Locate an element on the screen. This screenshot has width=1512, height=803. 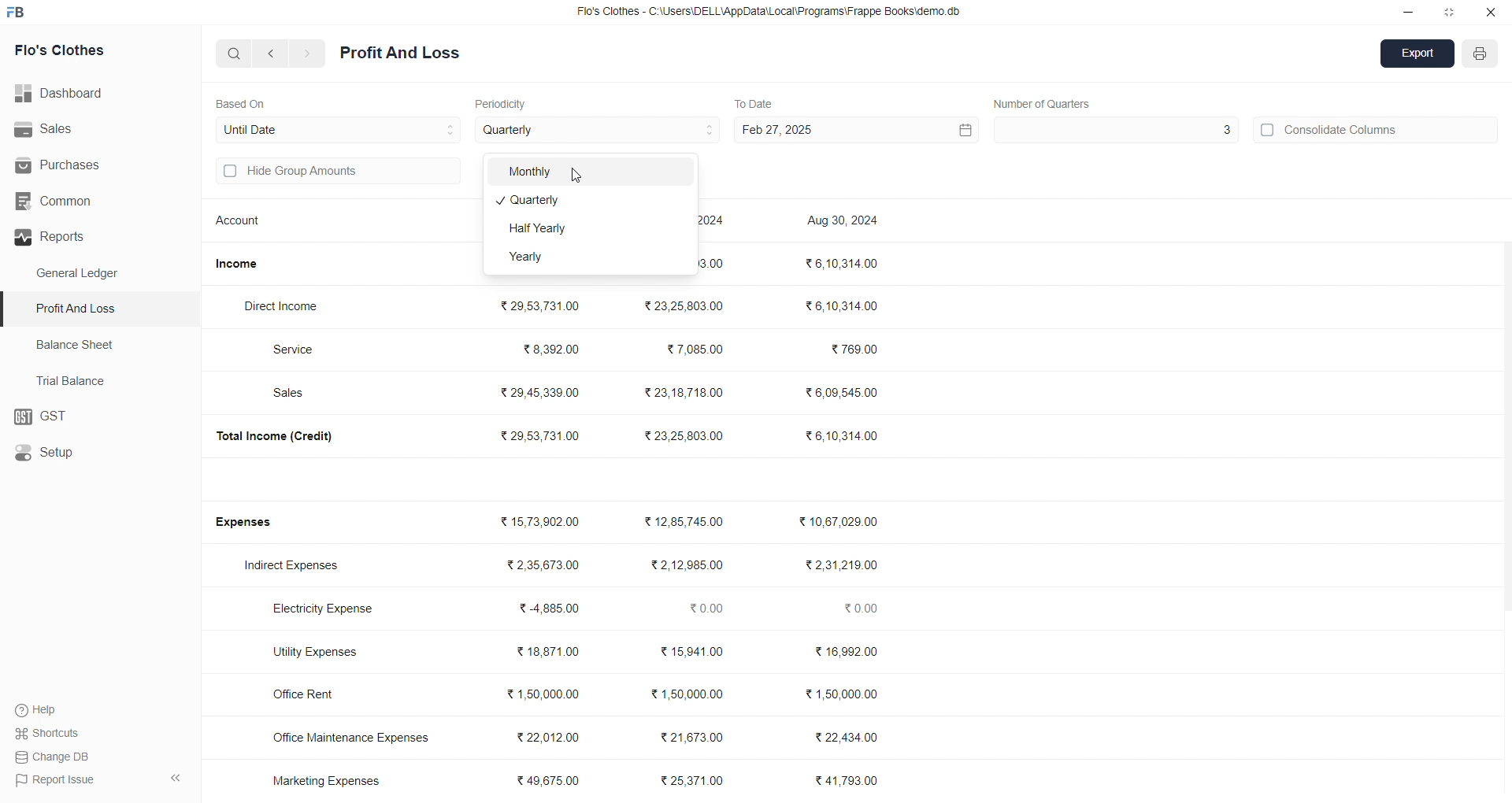
Common is located at coordinates (80, 202).